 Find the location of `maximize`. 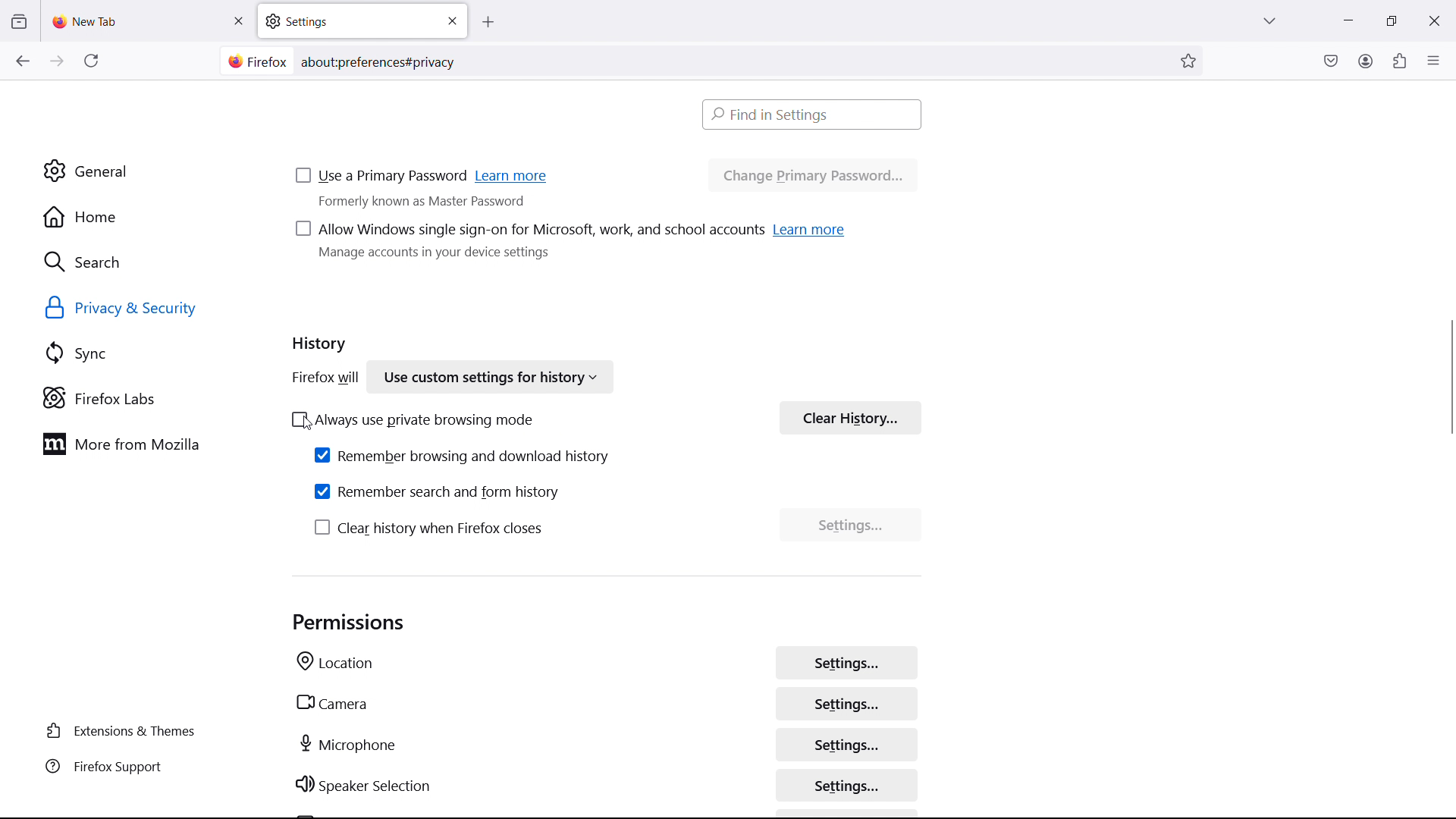

maximize is located at coordinates (1388, 21).